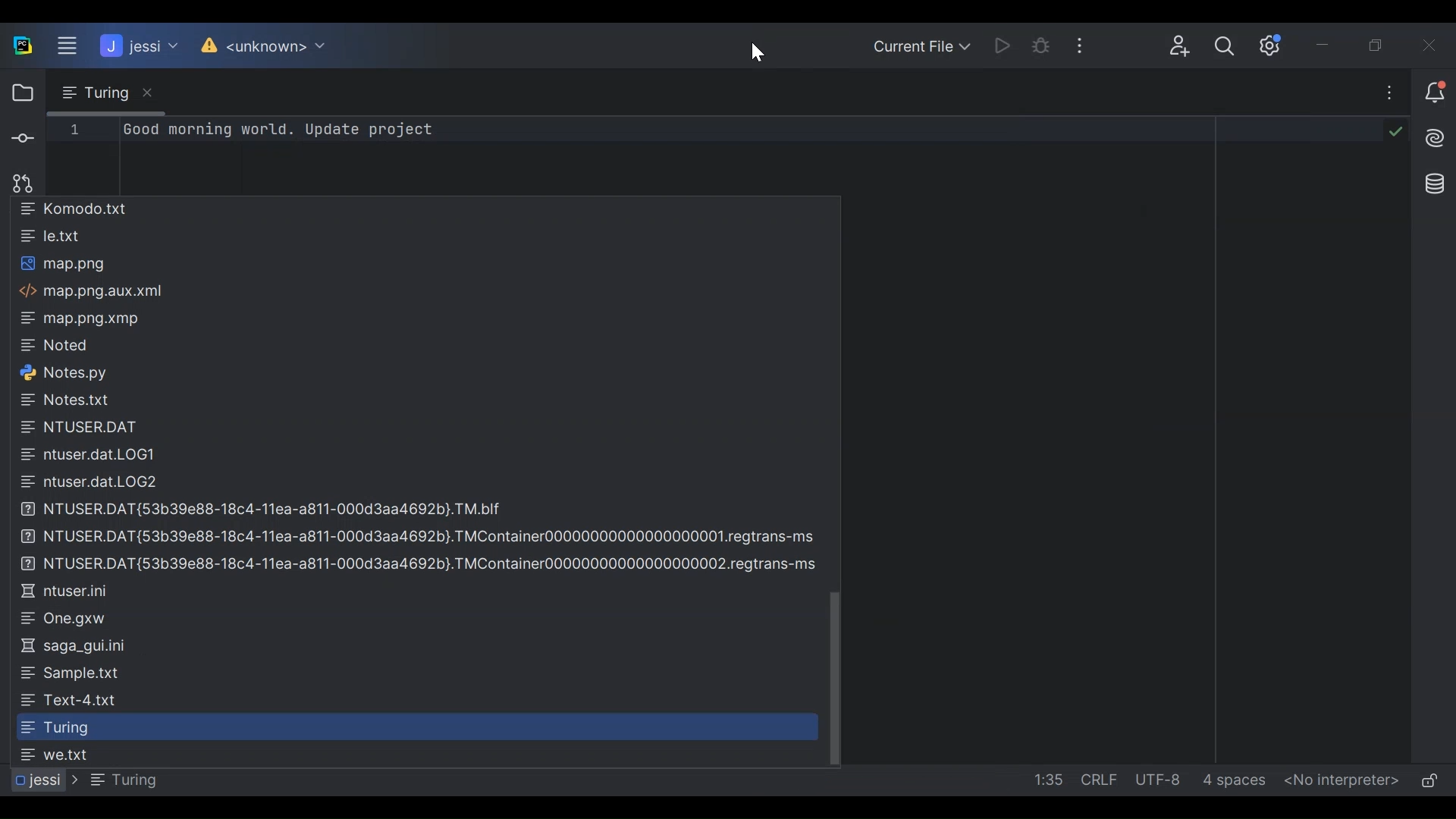  What do you see at coordinates (754, 50) in the screenshot?
I see `Cursor` at bounding box center [754, 50].